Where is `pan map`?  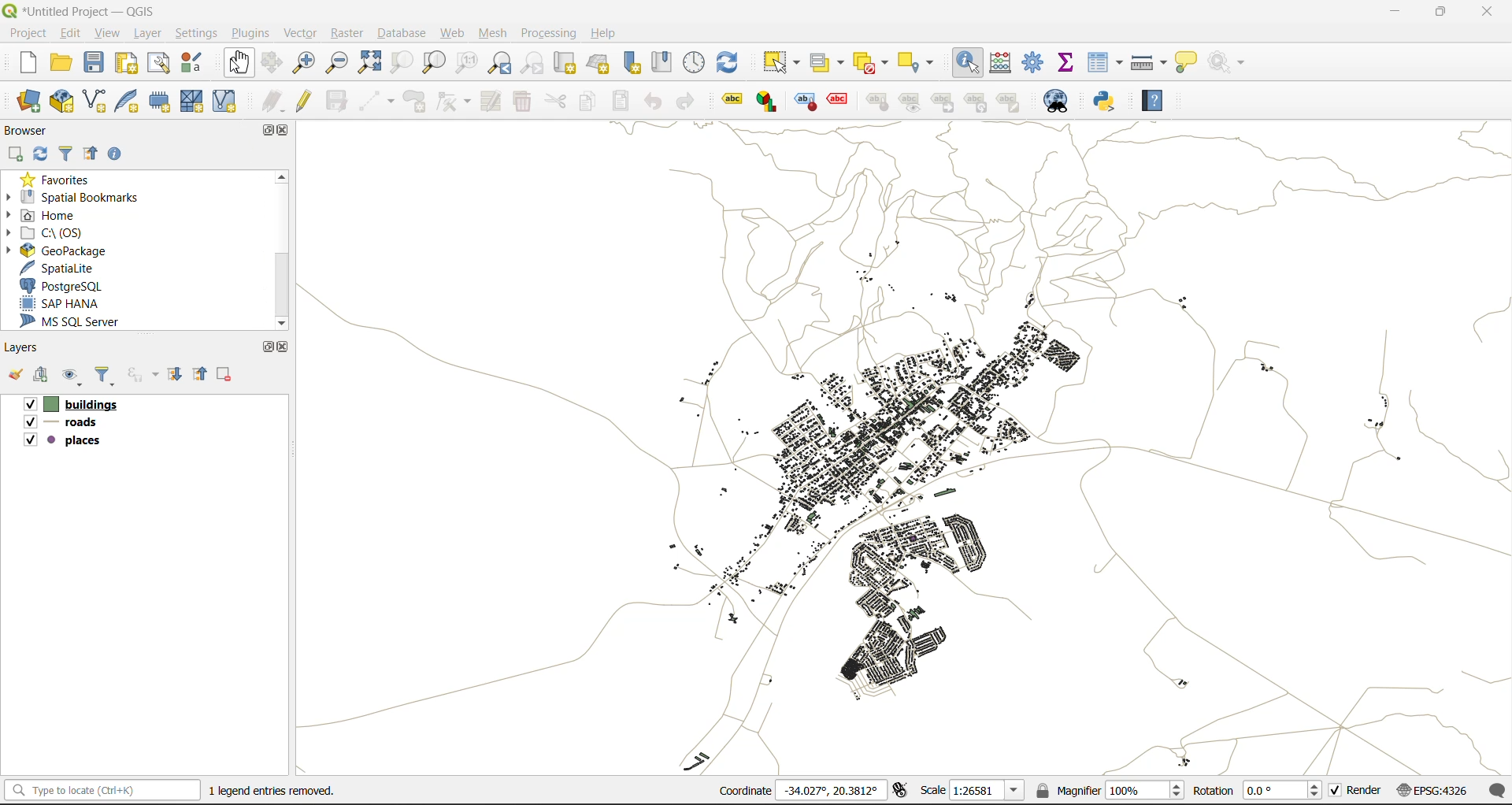
pan map is located at coordinates (235, 61).